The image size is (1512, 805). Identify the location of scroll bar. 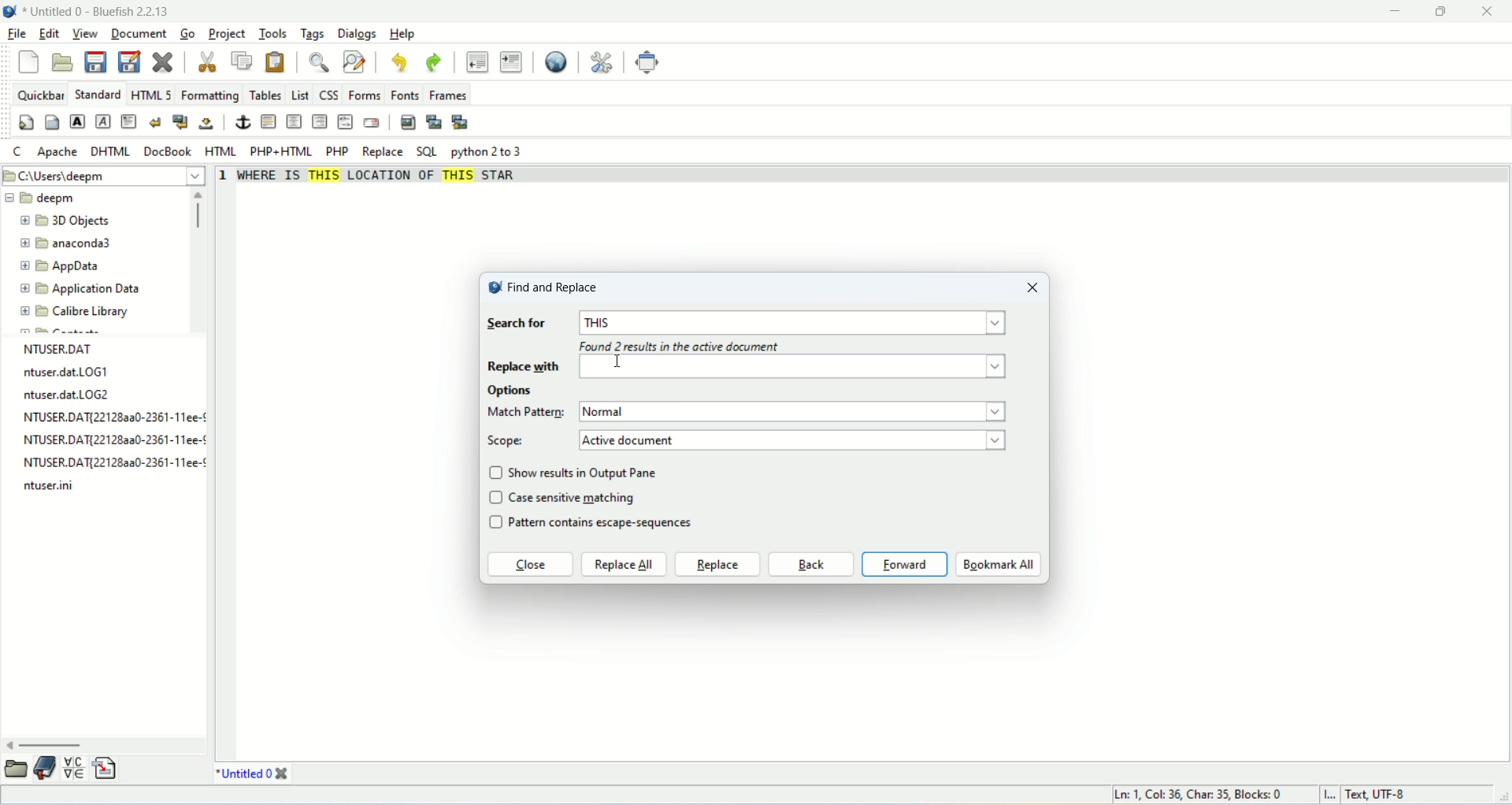
(201, 259).